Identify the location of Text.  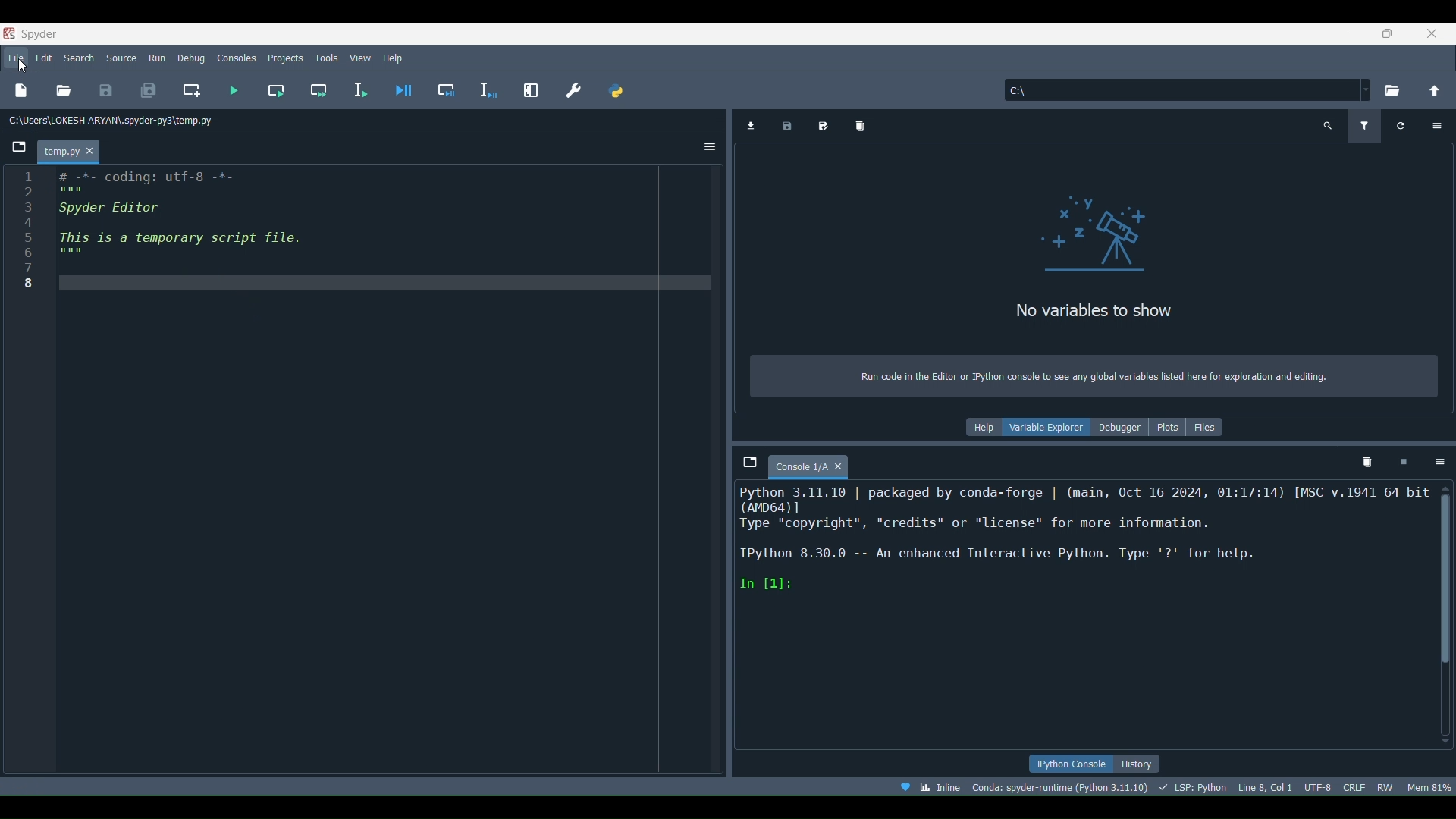
(1094, 279).